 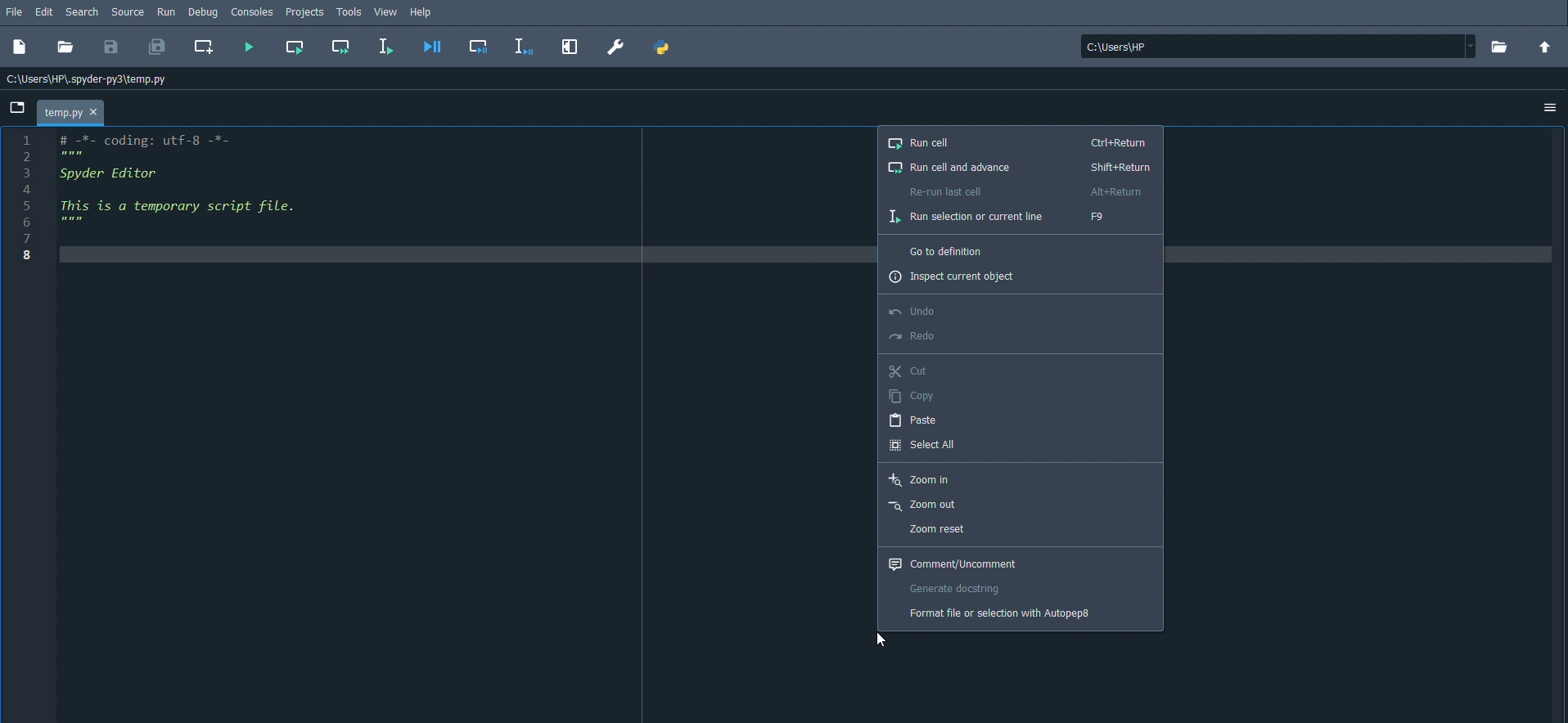 What do you see at coordinates (916, 309) in the screenshot?
I see `Undo` at bounding box center [916, 309].